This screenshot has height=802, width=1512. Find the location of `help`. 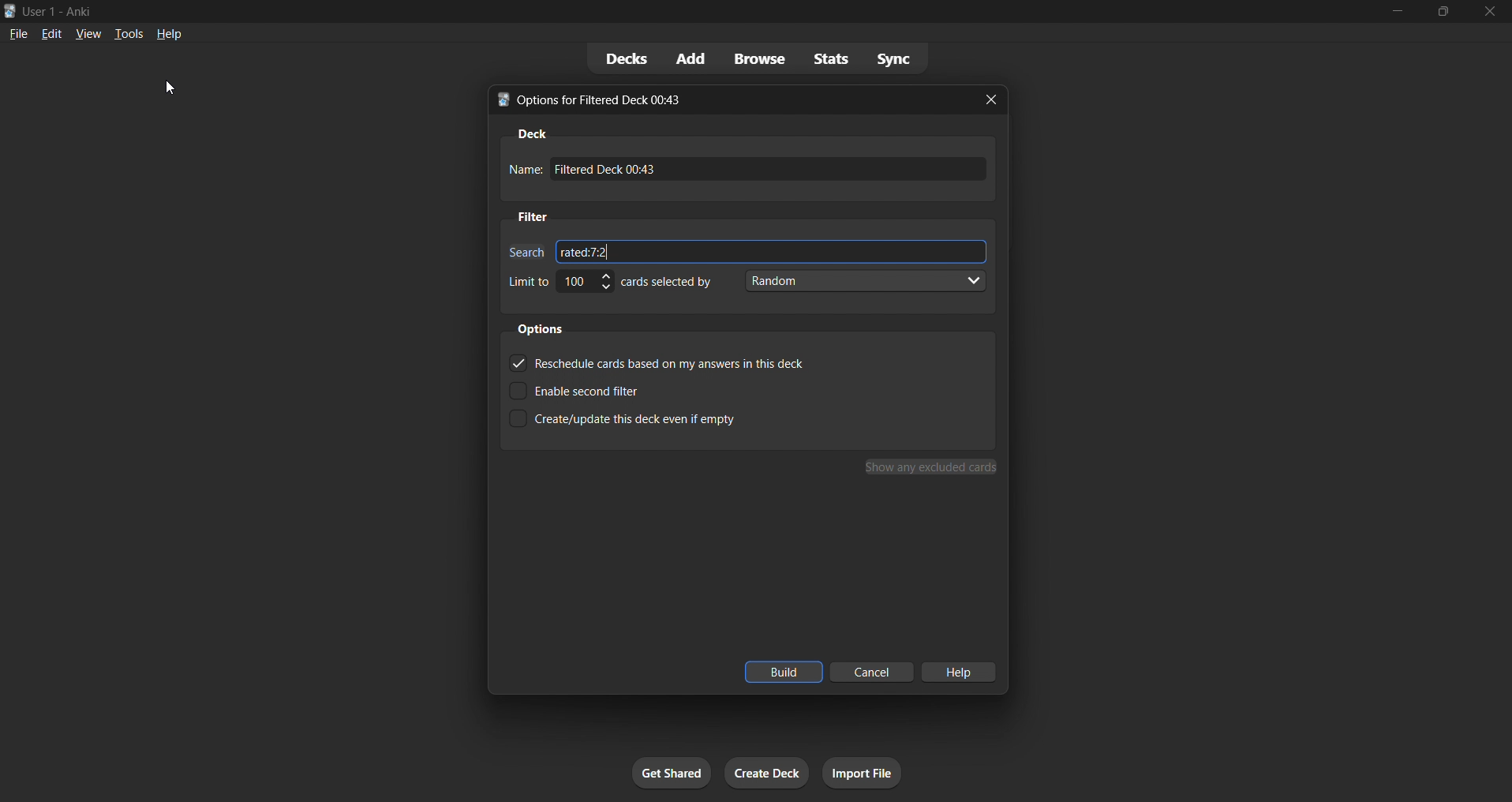

help is located at coordinates (174, 36).